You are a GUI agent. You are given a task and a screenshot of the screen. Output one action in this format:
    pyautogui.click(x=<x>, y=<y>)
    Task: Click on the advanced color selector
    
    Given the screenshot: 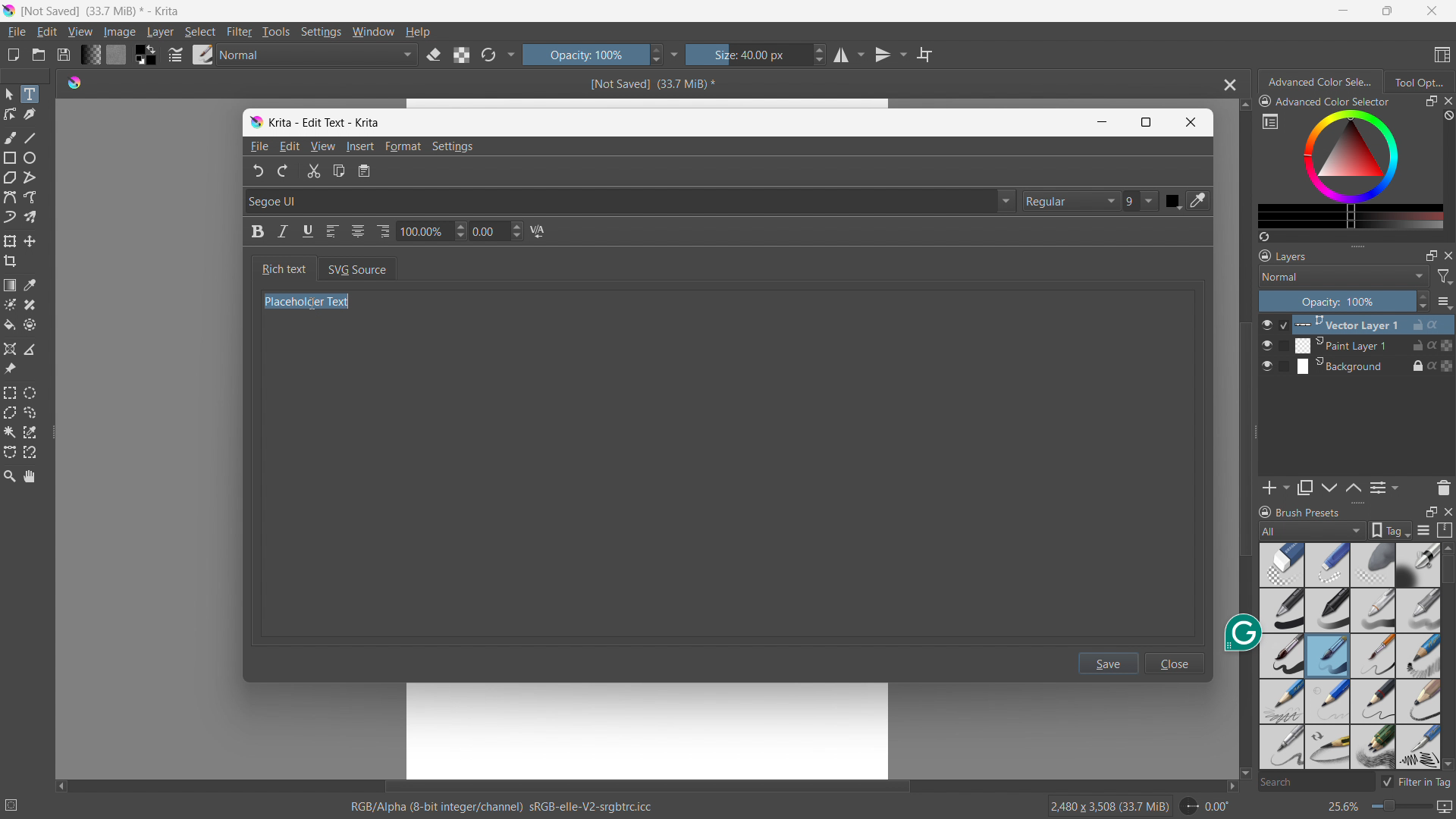 What is the action you would take?
    pyautogui.click(x=1325, y=101)
    